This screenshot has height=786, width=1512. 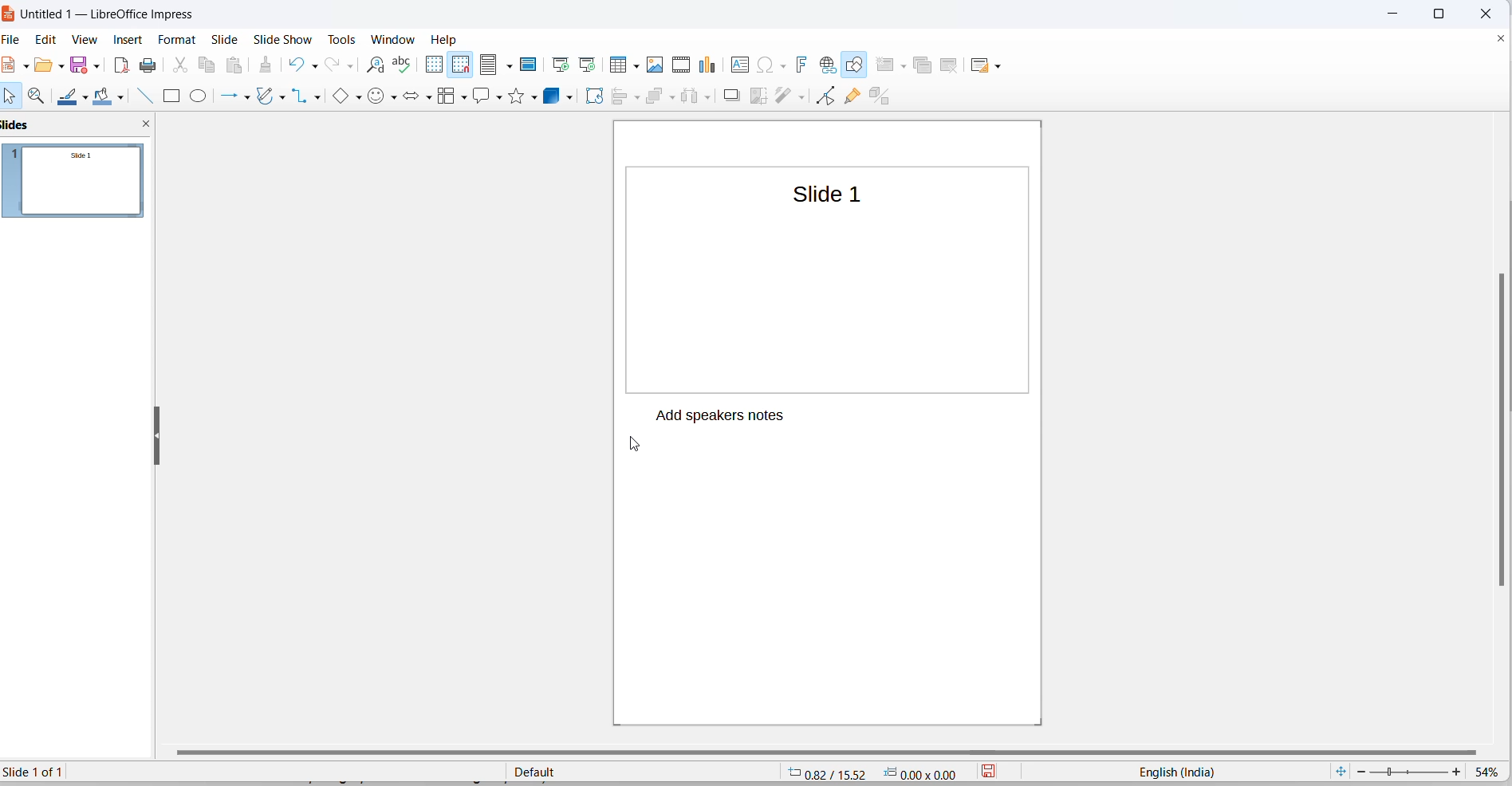 What do you see at coordinates (711, 66) in the screenshot?
I see `insert chart` at bounding box center [711, 66].